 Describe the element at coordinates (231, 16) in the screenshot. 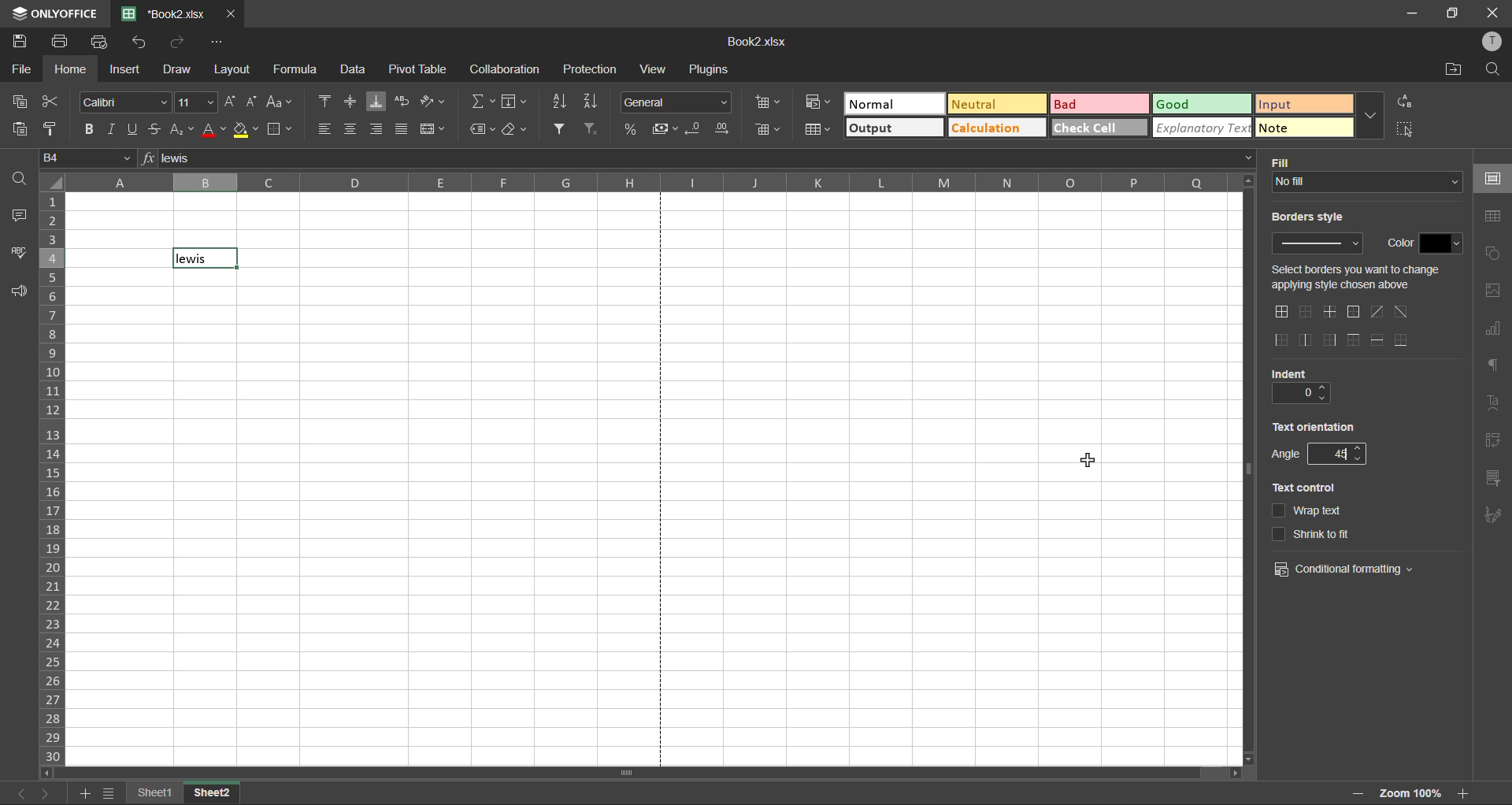

I see `close tab` at that location.